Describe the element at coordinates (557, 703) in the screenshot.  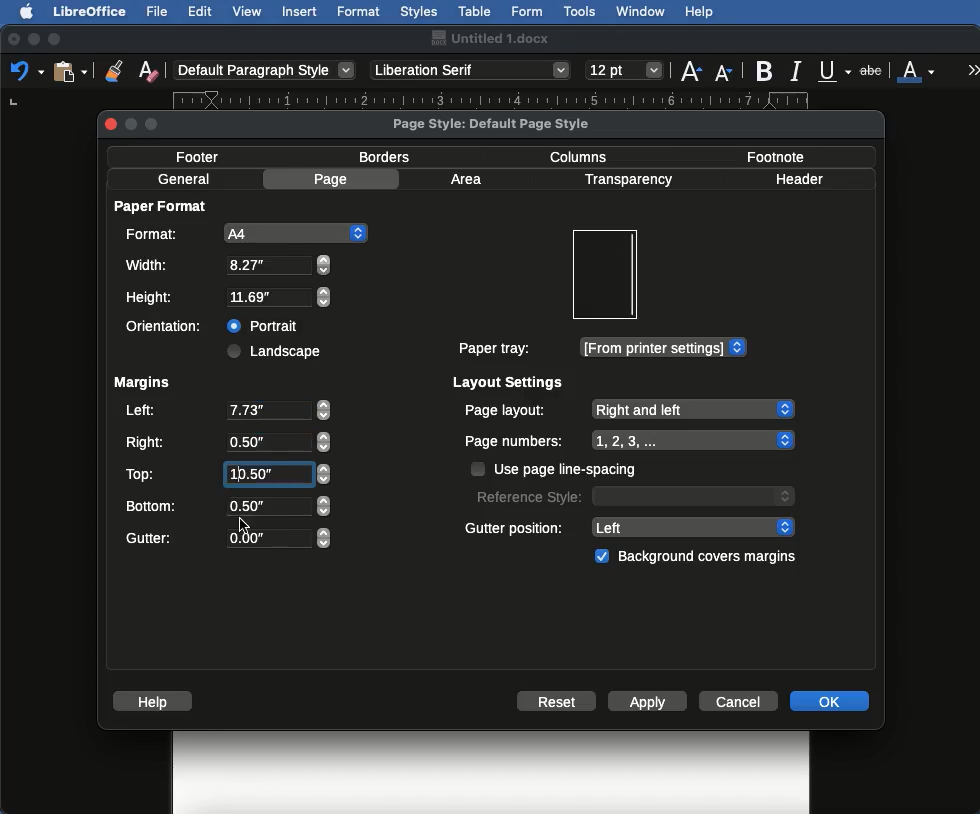
I see `Reset` at that location.